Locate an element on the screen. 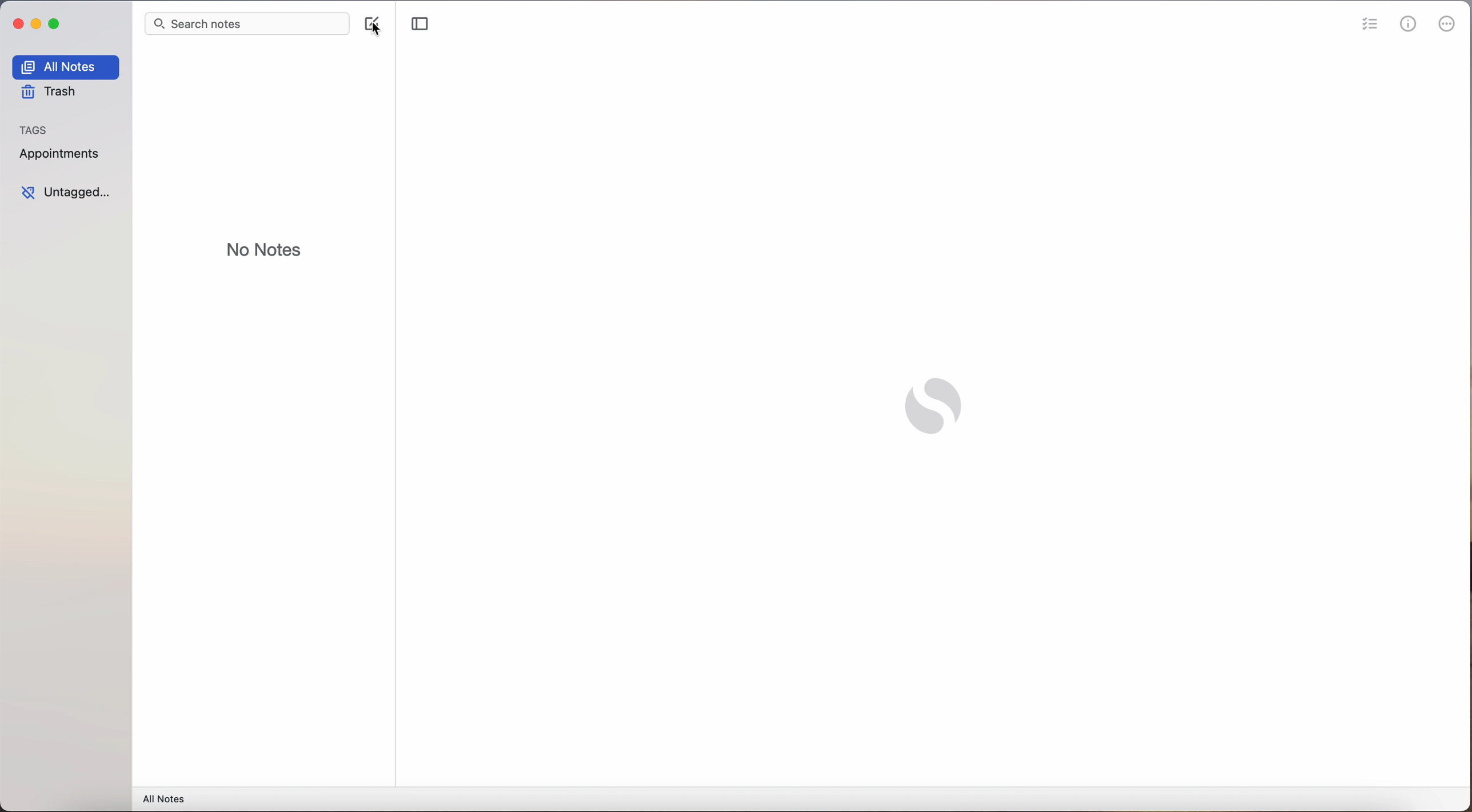  maximize app is located at coordinates (56, 23).